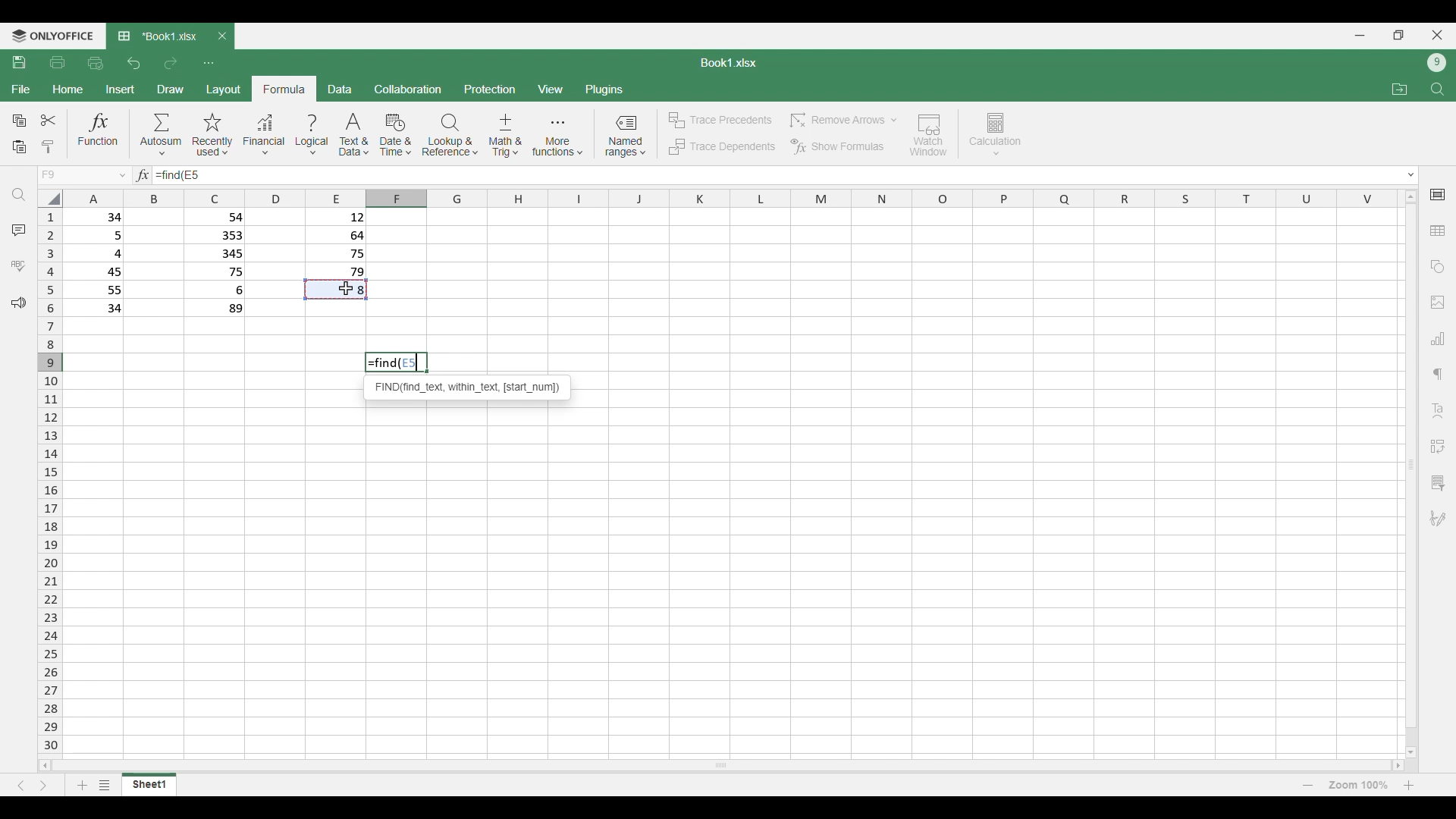  Describe the element at coordinates (996, 134) in the screenshot. I see `Calculation options` at that location.